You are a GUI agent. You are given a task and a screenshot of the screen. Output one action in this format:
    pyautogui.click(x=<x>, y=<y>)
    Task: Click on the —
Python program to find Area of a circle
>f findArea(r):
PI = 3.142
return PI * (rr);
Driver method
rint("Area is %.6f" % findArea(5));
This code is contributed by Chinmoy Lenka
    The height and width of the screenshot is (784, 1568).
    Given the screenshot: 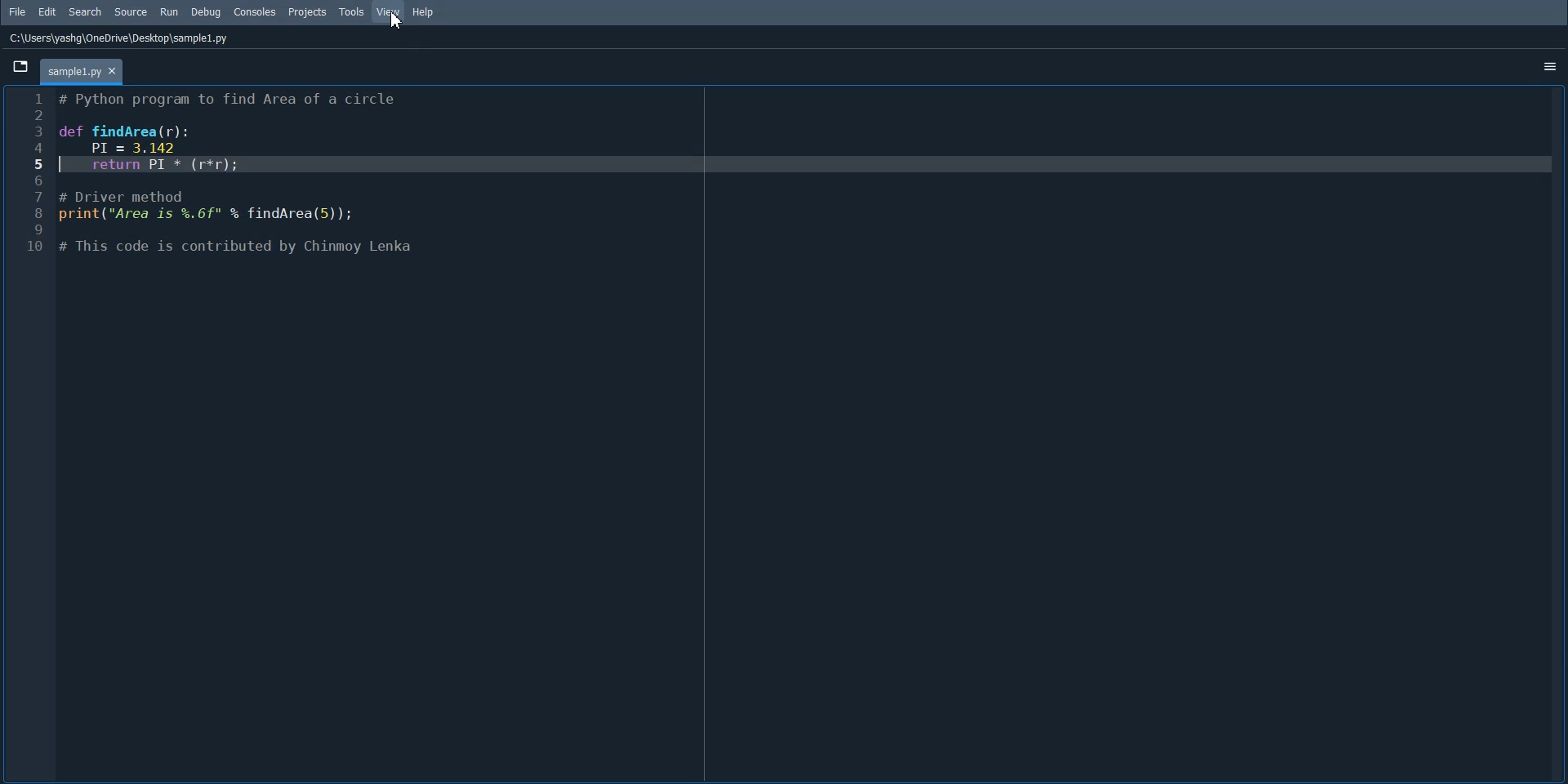 What is the action you would take?
    pyautogui.click(x=253, y=181)
    